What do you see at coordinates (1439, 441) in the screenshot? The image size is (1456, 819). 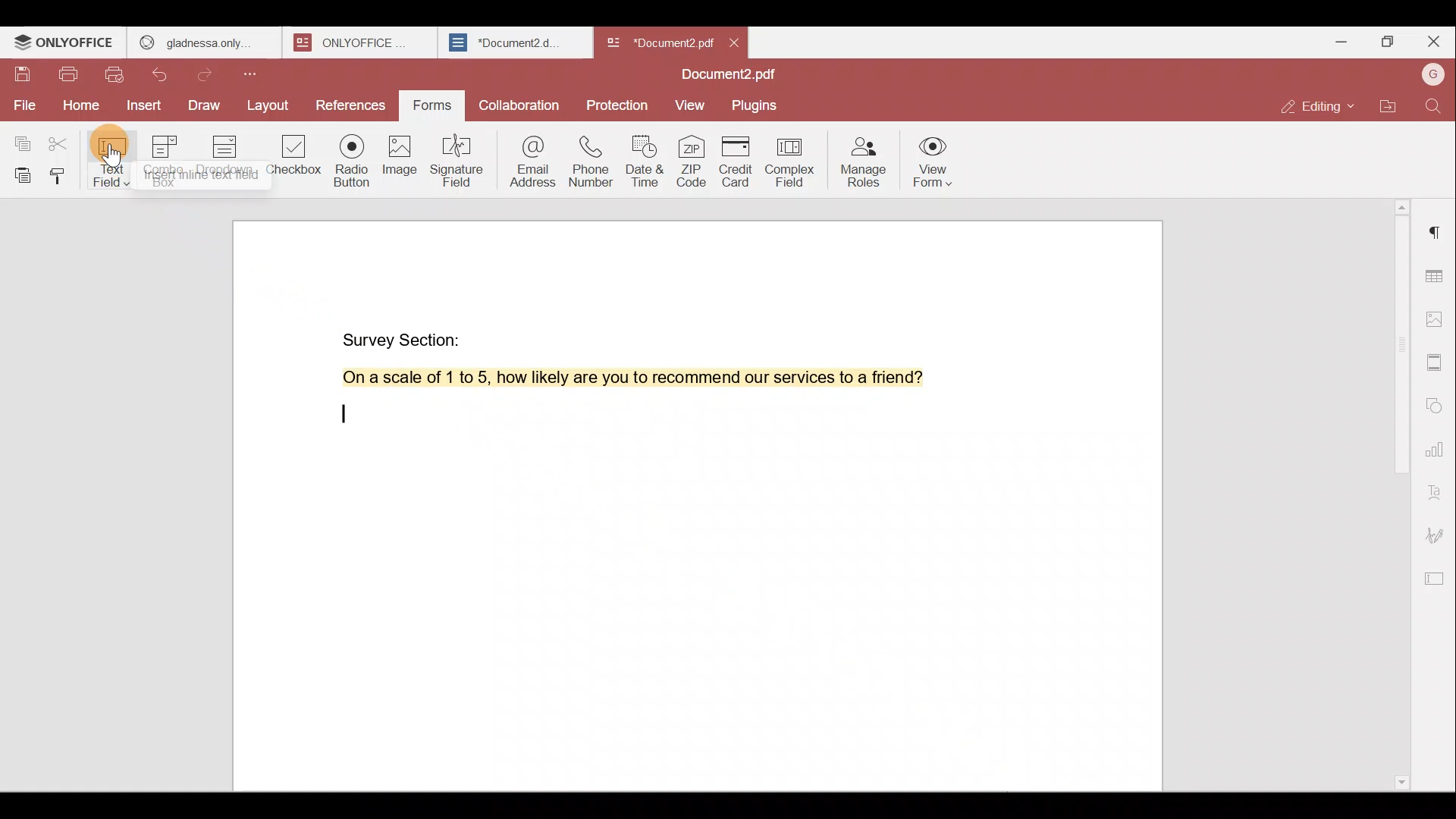 I see `Chart settings` at bounding box center [1439, 441].